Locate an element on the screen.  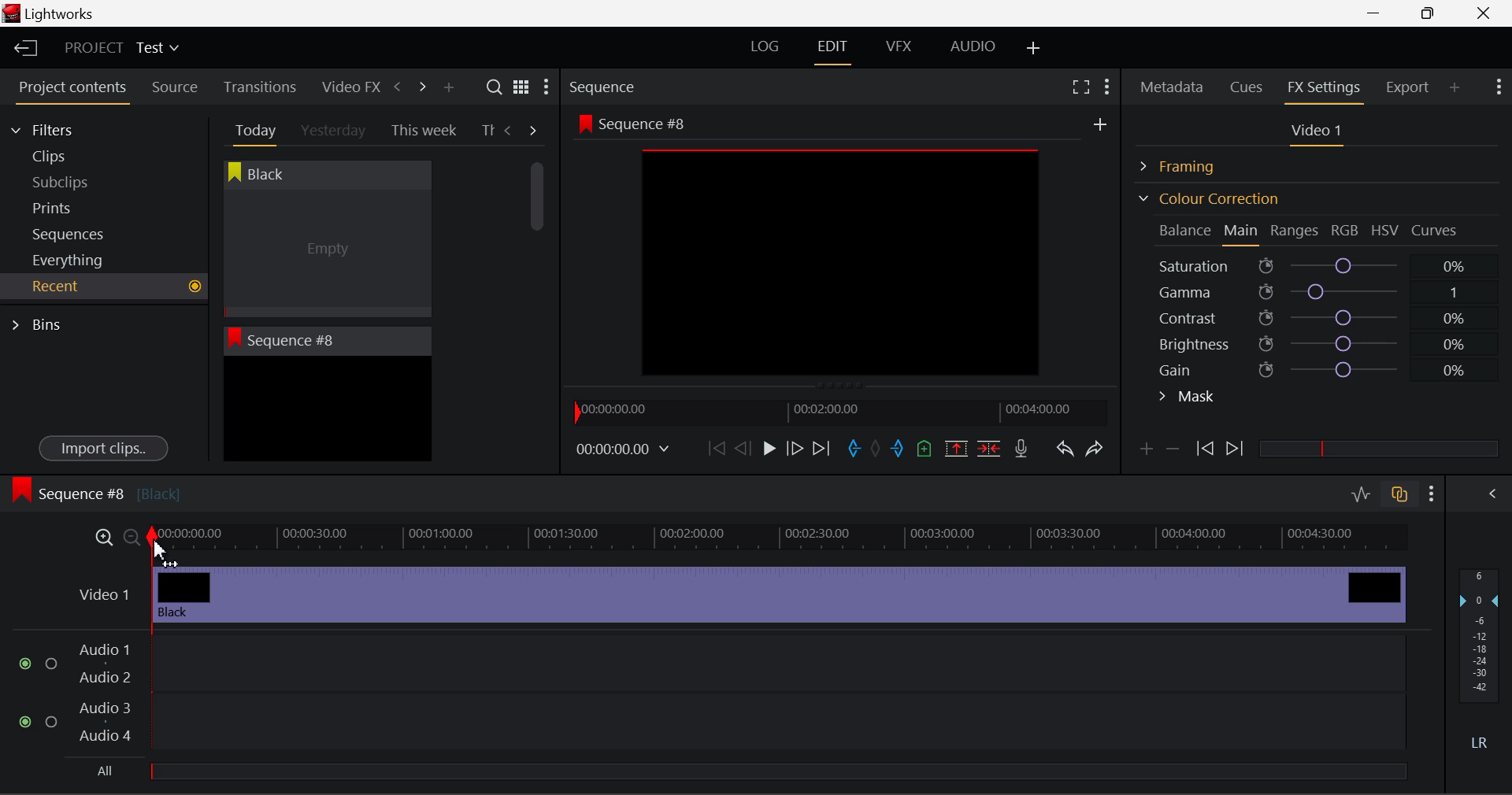
Clips is located at coordinates (77, 156).